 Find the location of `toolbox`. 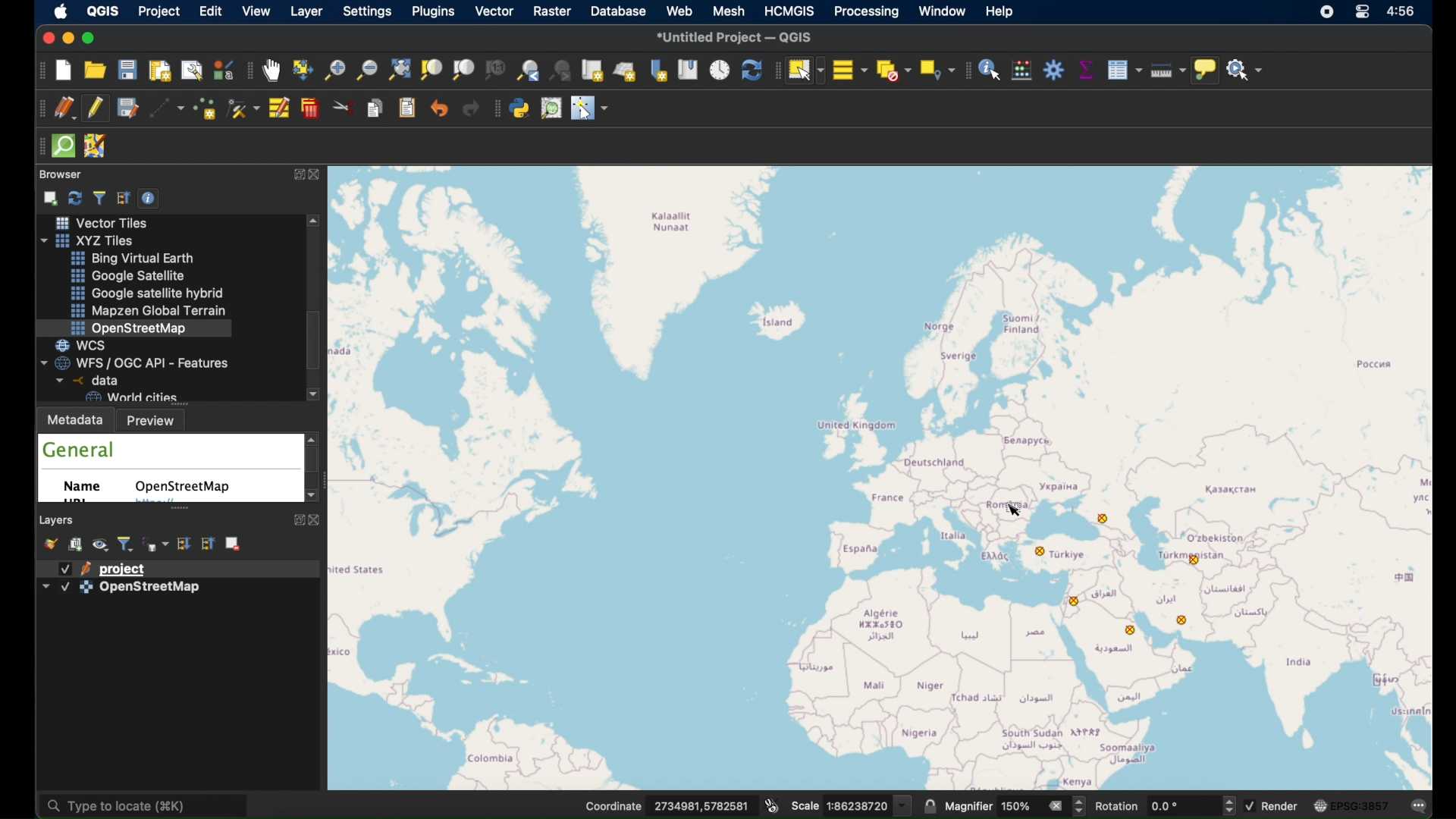

toolbox is located at coordinates (1053, 70).